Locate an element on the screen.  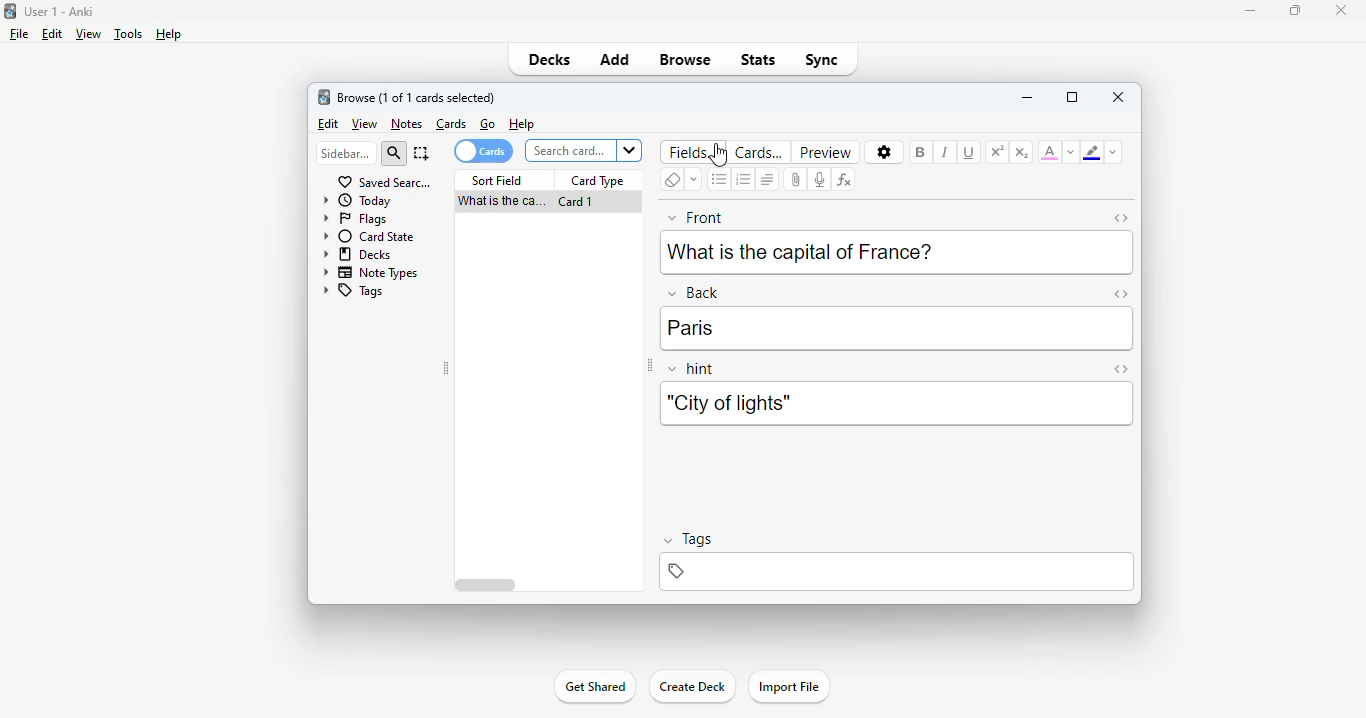
logo is located at coordinates (323, 96).